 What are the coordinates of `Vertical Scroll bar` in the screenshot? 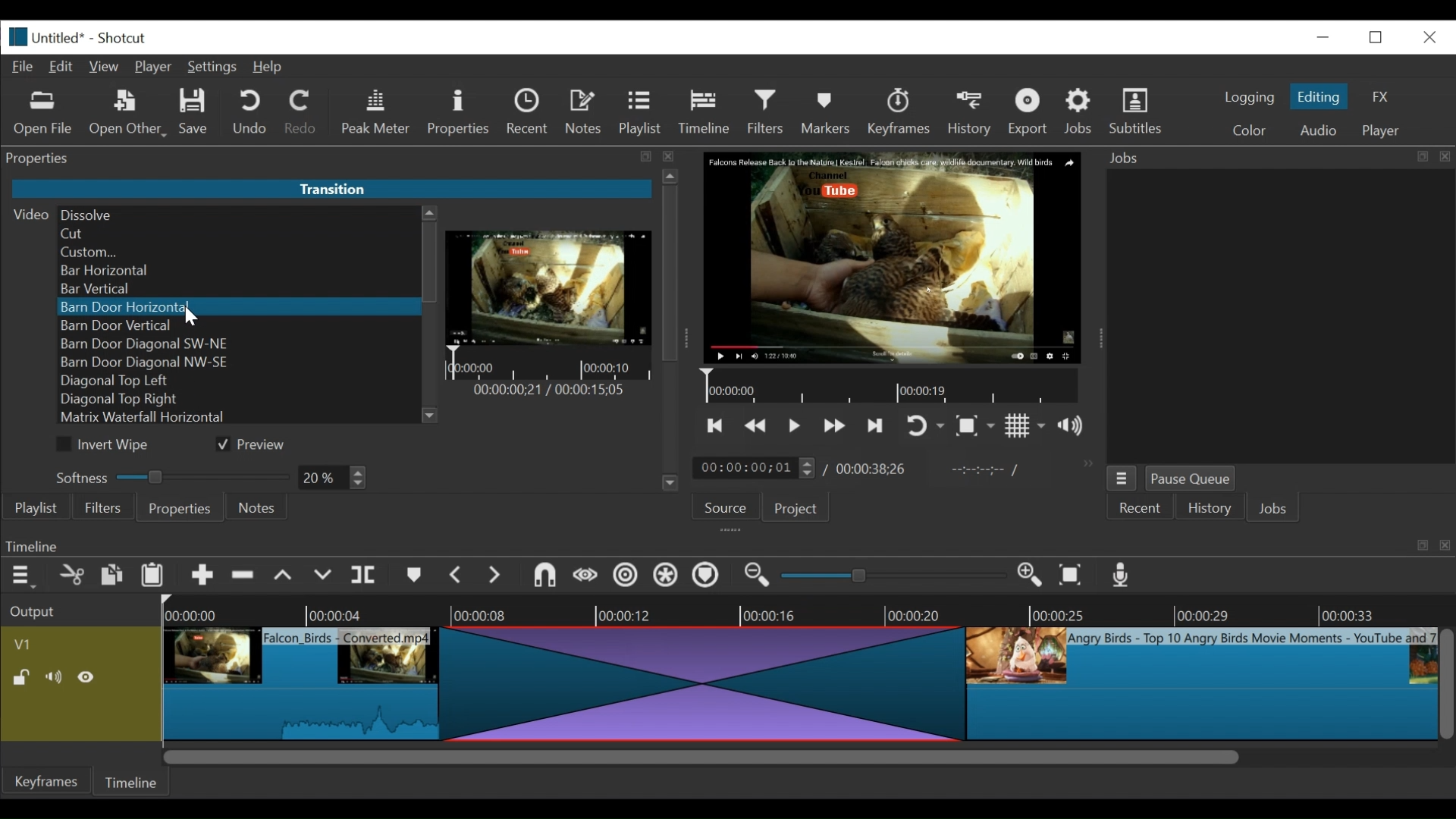 It's located at (671, 274).